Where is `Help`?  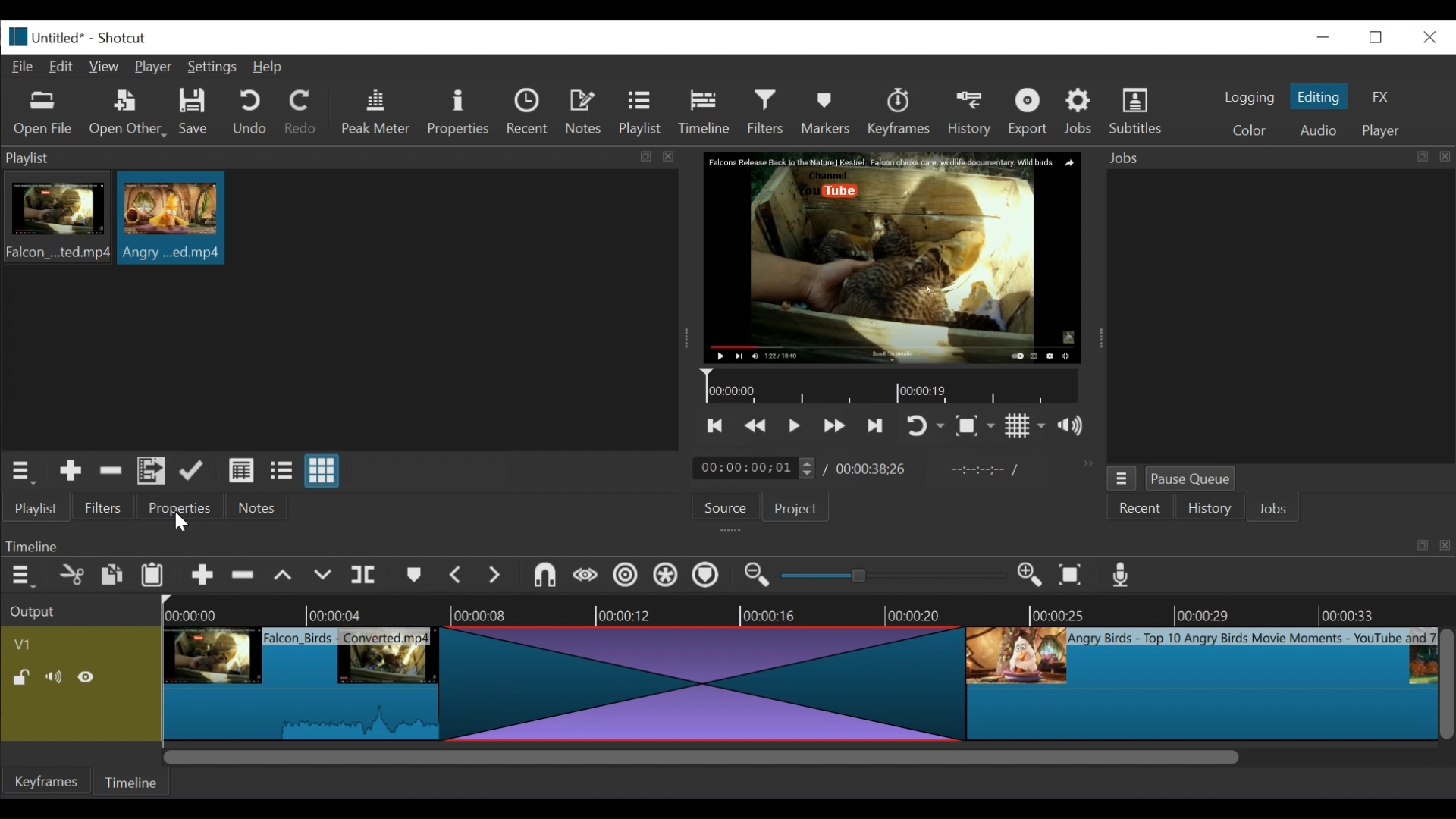
Help is located at coordinates (268, 67).